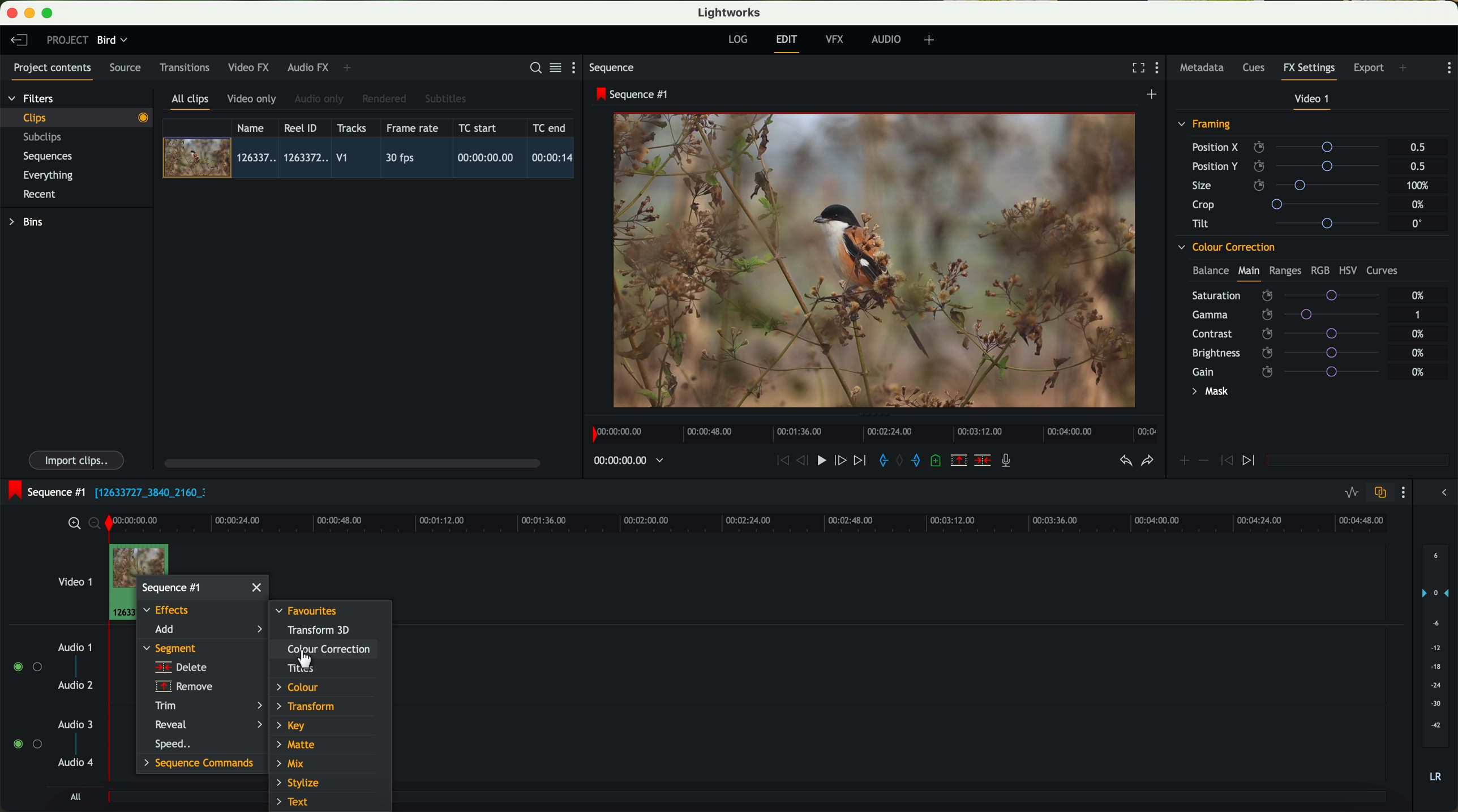 The width and height of the screenshot is (1458, 812). Describe the element at coordinates (75, 647) in the screenshot. I see `audio 1` at that location.